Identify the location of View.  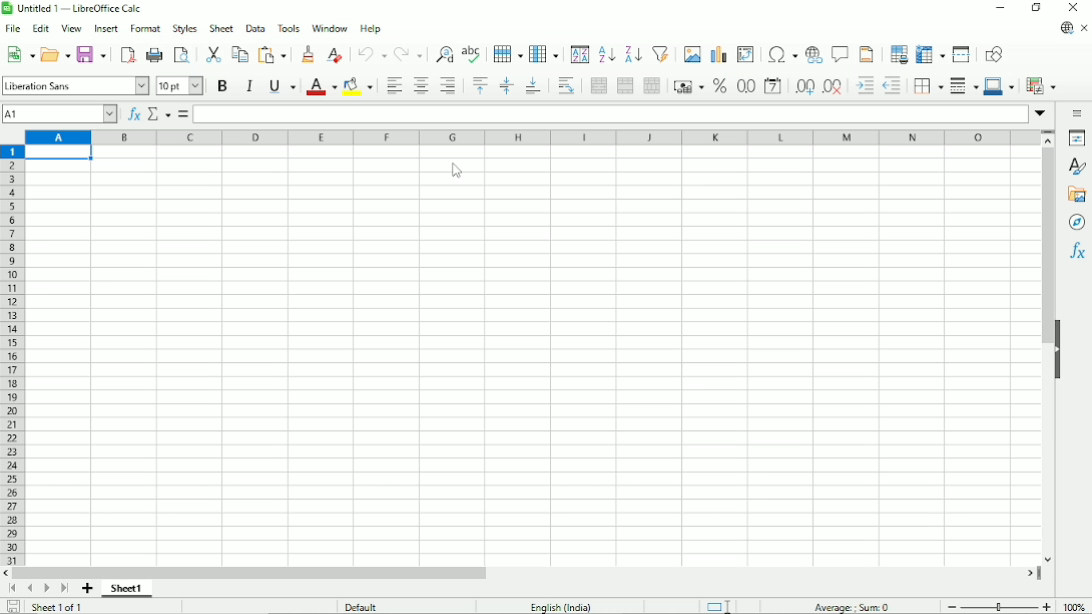
(71, 29).